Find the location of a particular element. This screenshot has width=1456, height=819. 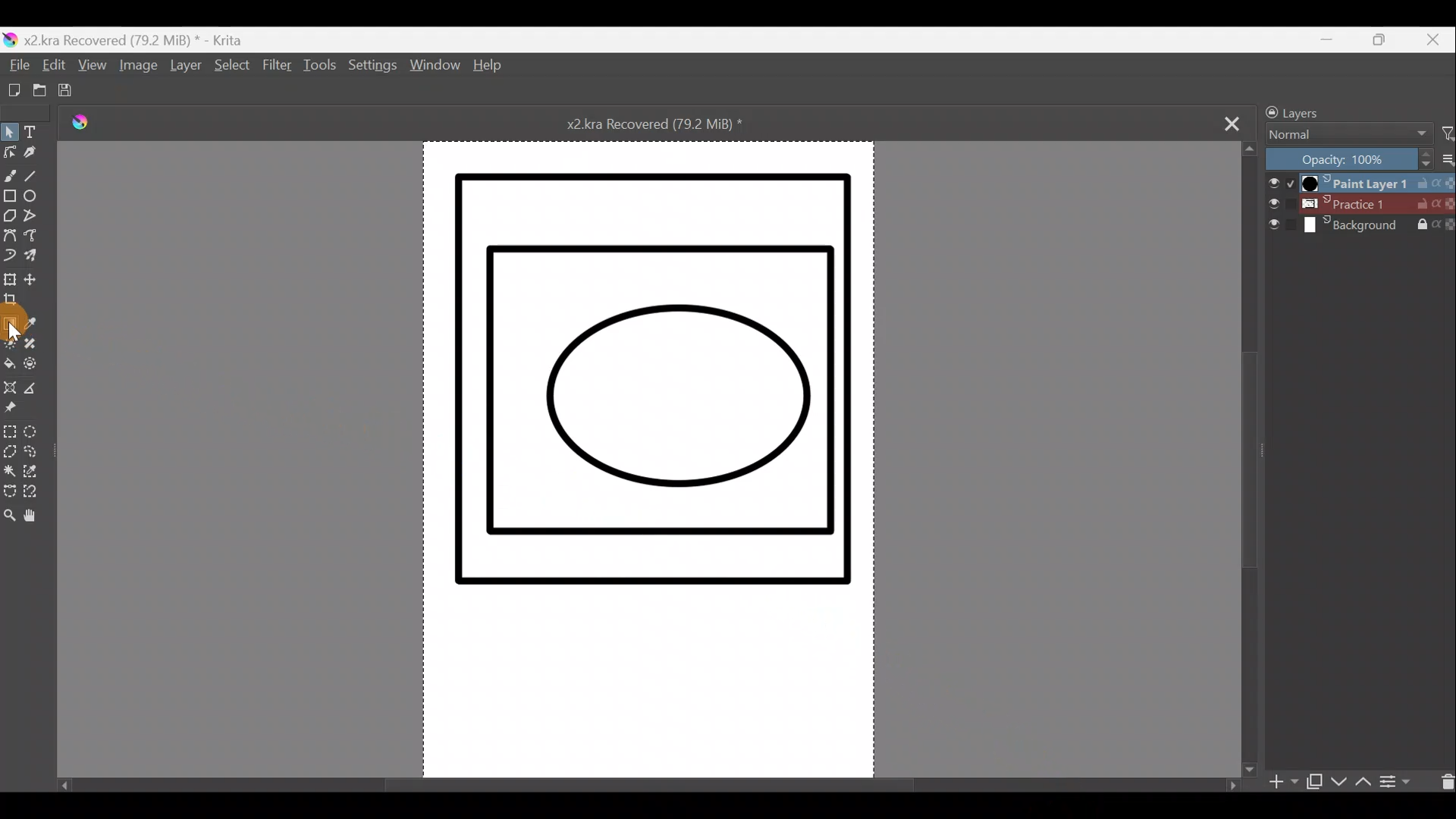

Layer 2 is located at coordinates (1360, 204).